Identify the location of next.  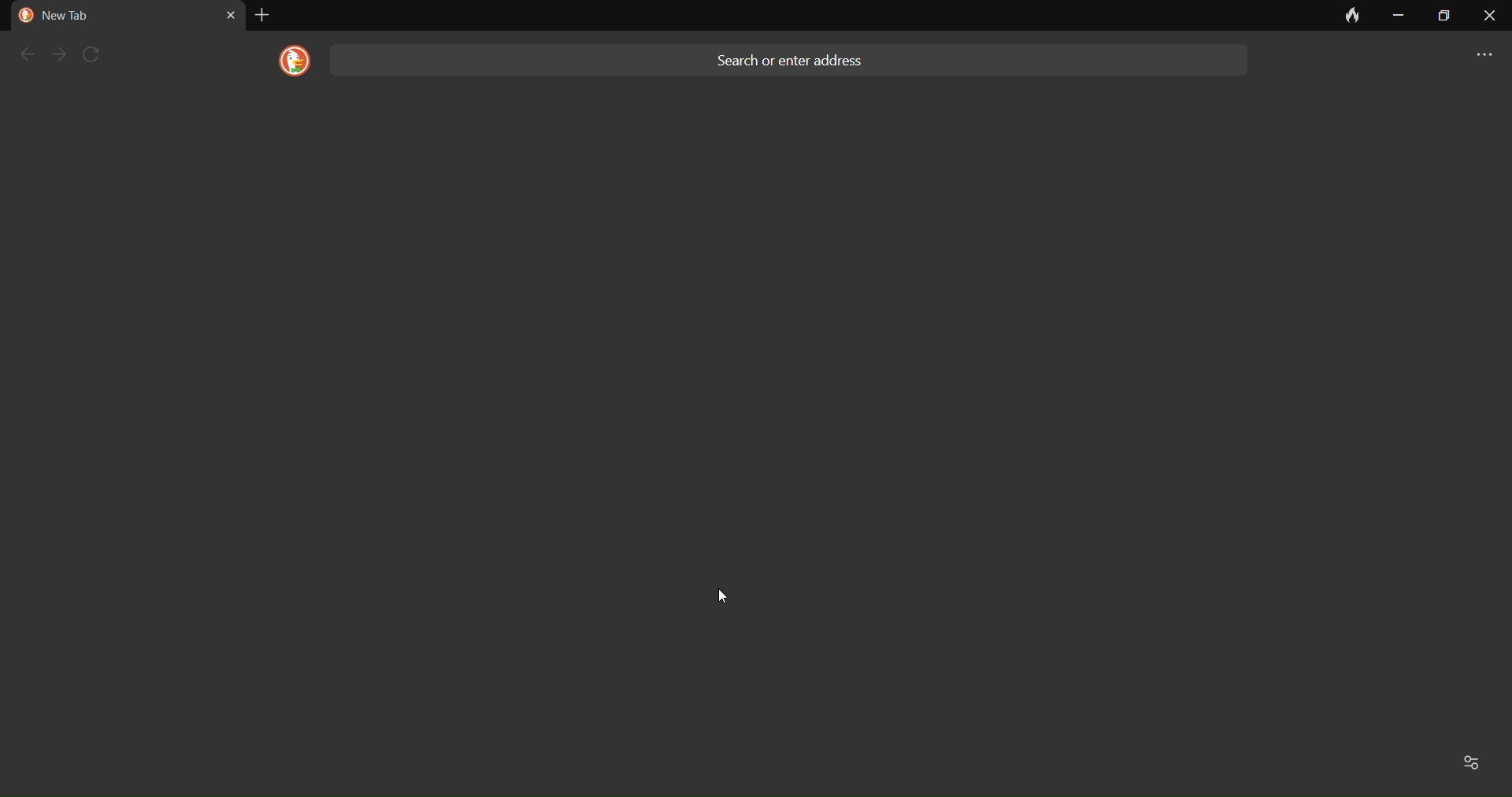
(61, 54).